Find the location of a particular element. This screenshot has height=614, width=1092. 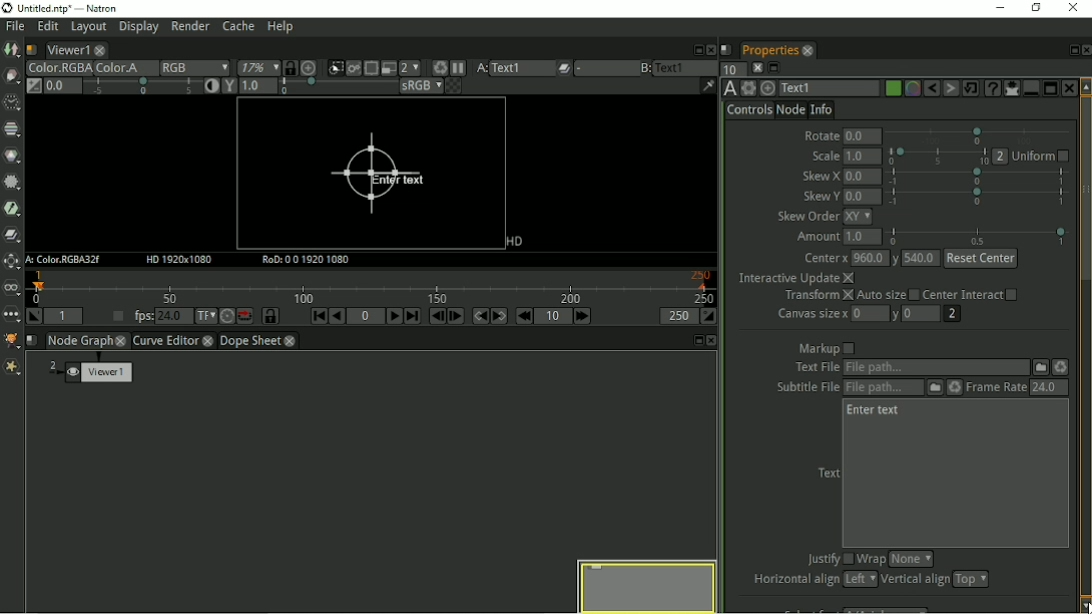

Enter text is located at coordinates (375, 175).